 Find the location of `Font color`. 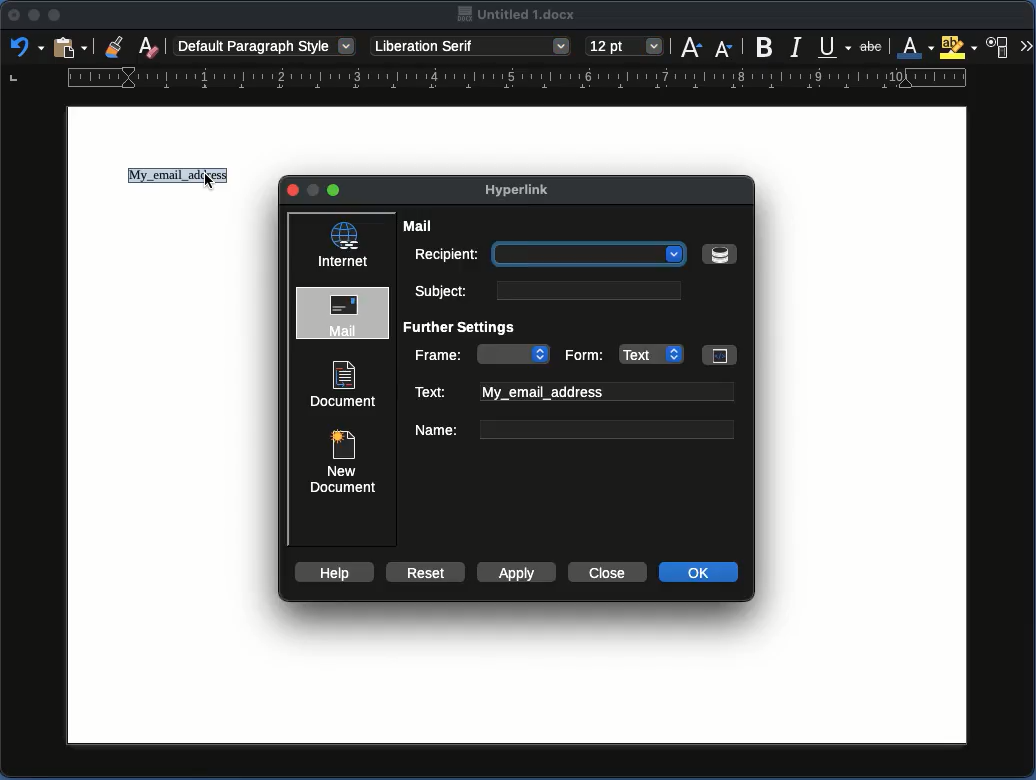

Font color is located at coordinates (912, 47).